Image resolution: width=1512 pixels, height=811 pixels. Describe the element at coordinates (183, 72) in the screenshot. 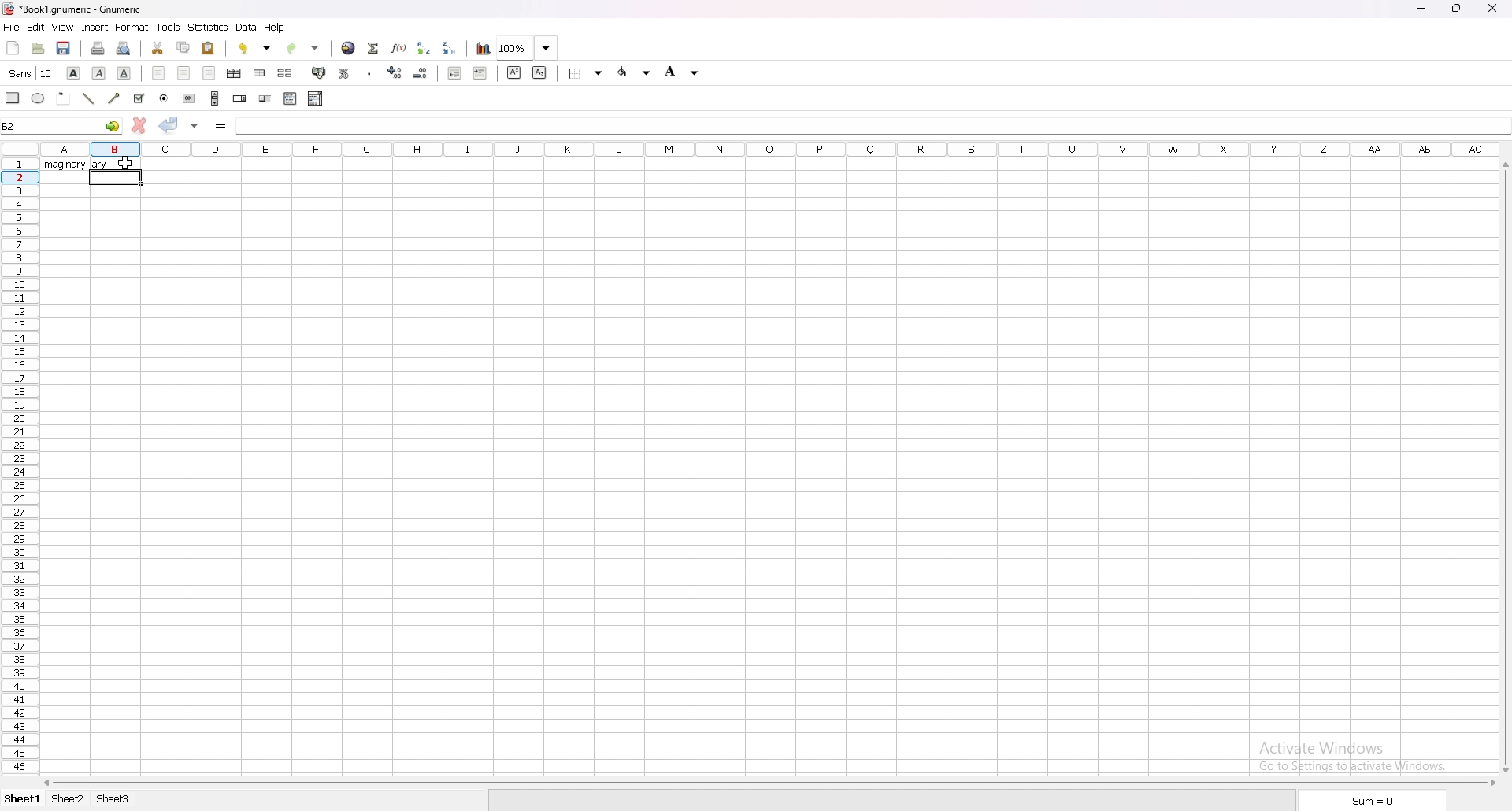

I see `centre` at that location.